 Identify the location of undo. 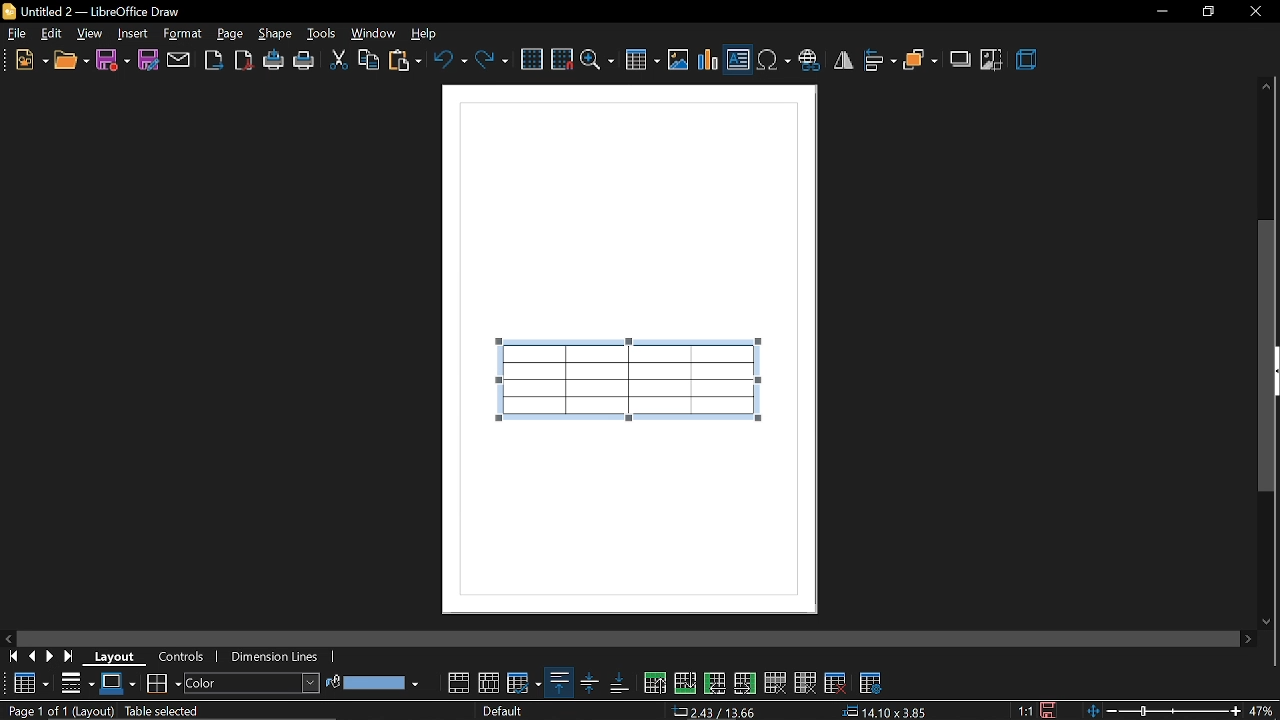
(450, 61).